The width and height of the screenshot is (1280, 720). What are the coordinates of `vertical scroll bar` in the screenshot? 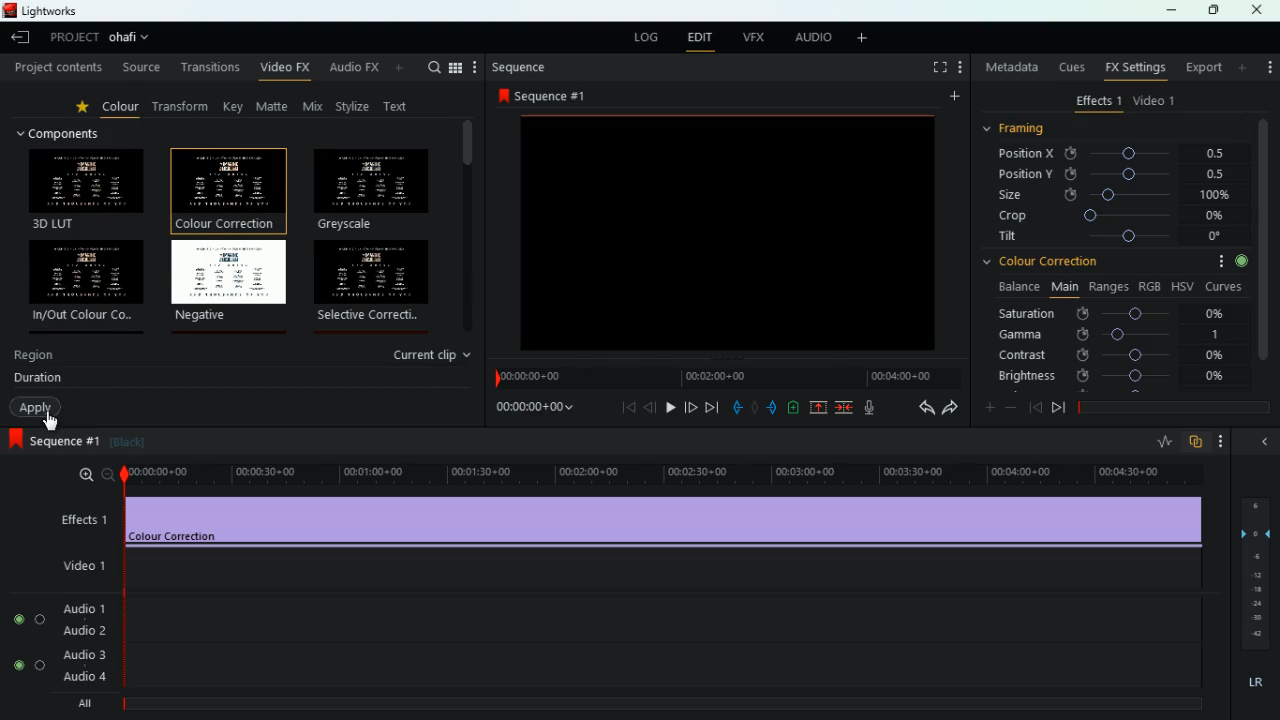 It's located at (1269, 252).